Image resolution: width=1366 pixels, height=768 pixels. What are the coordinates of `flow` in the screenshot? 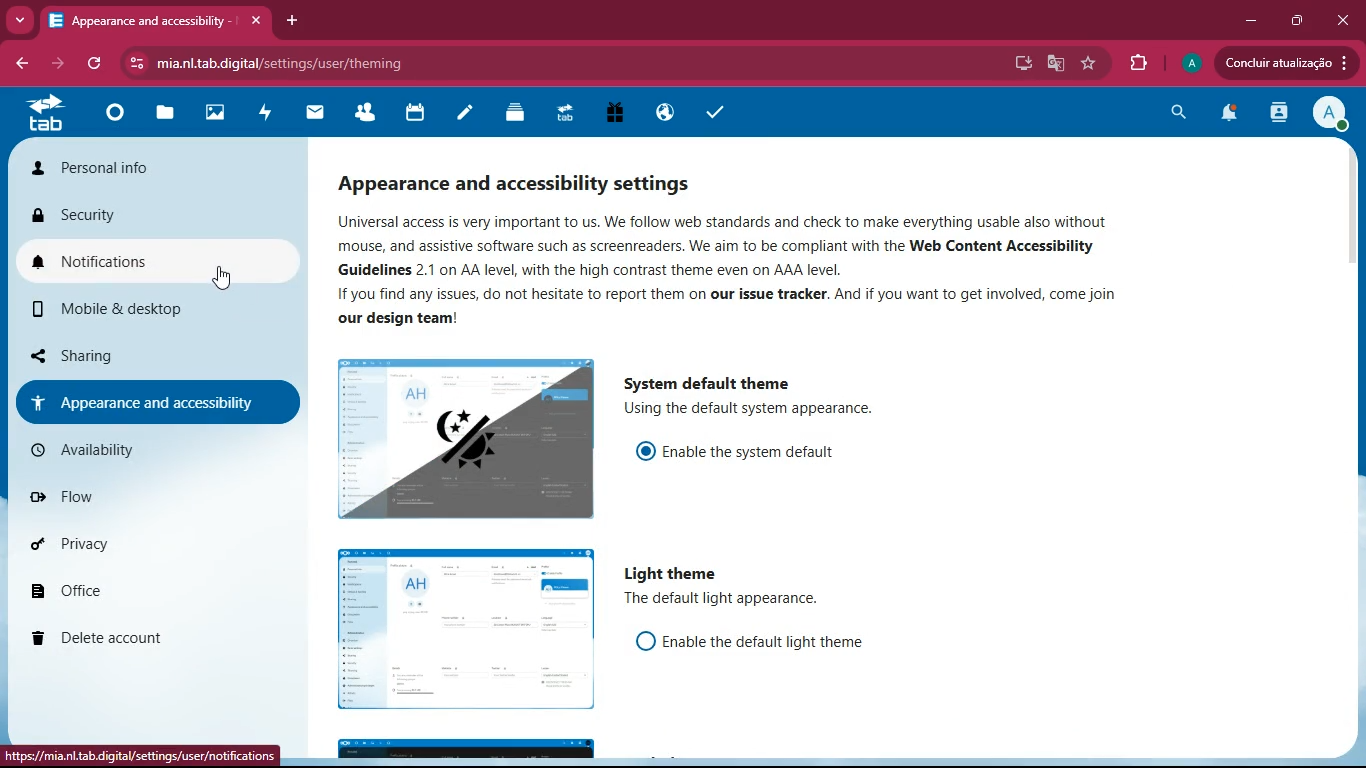 It's located at (162, 495).